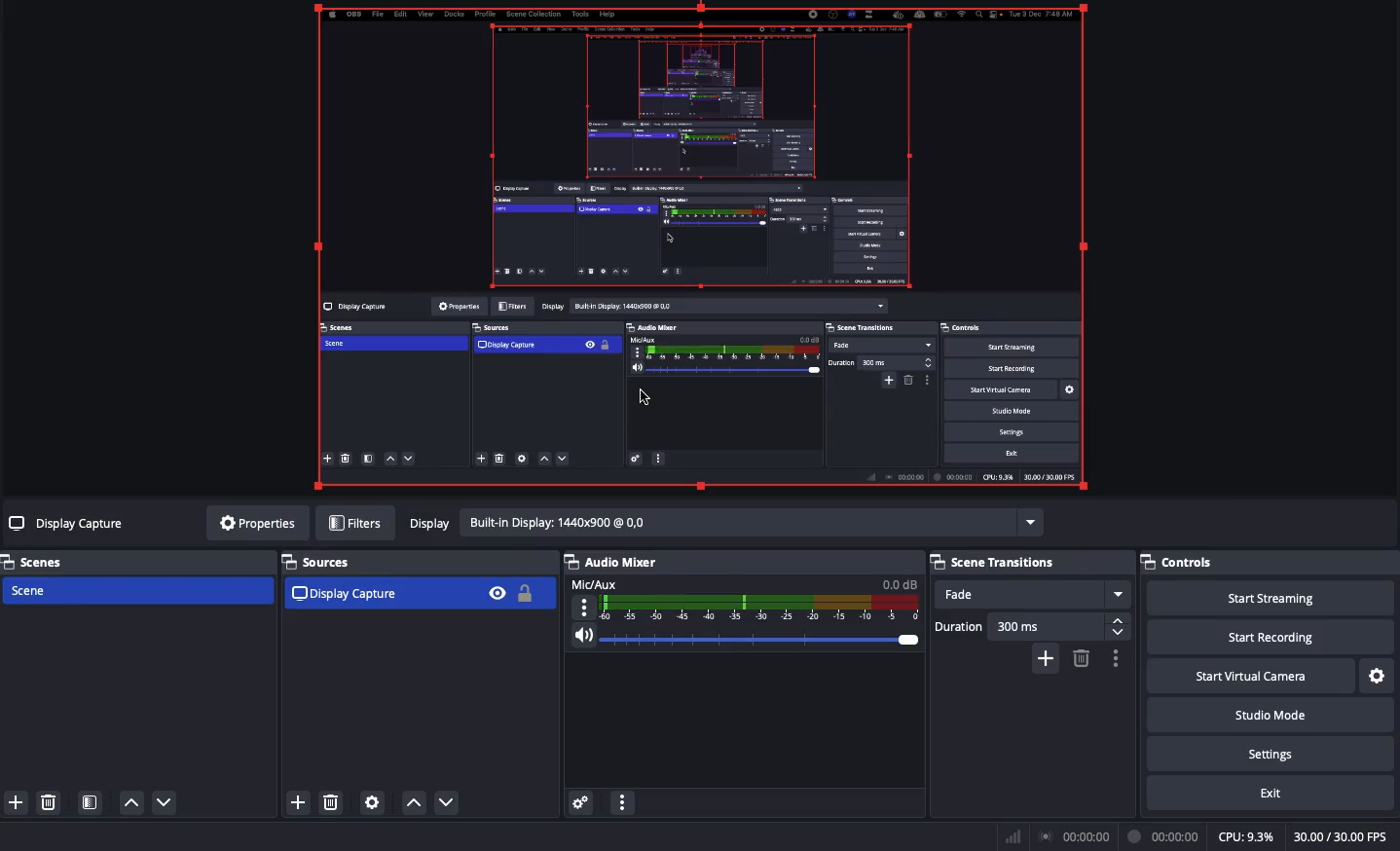 The width and height of the screenshot is (1400, 851). I want to click on Move down, so click(166, 801).